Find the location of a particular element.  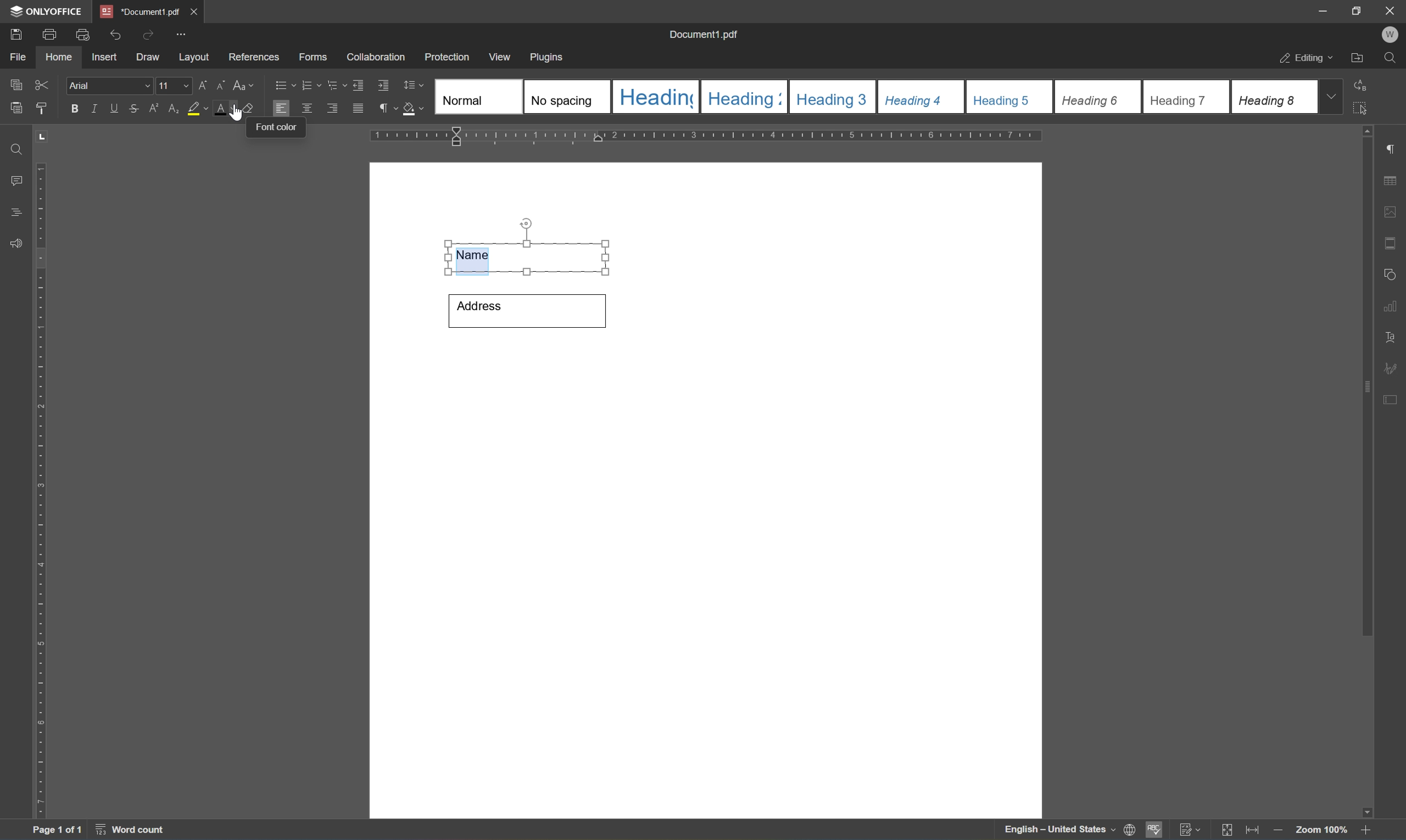

image settings is located at coordinates (1391, 211).